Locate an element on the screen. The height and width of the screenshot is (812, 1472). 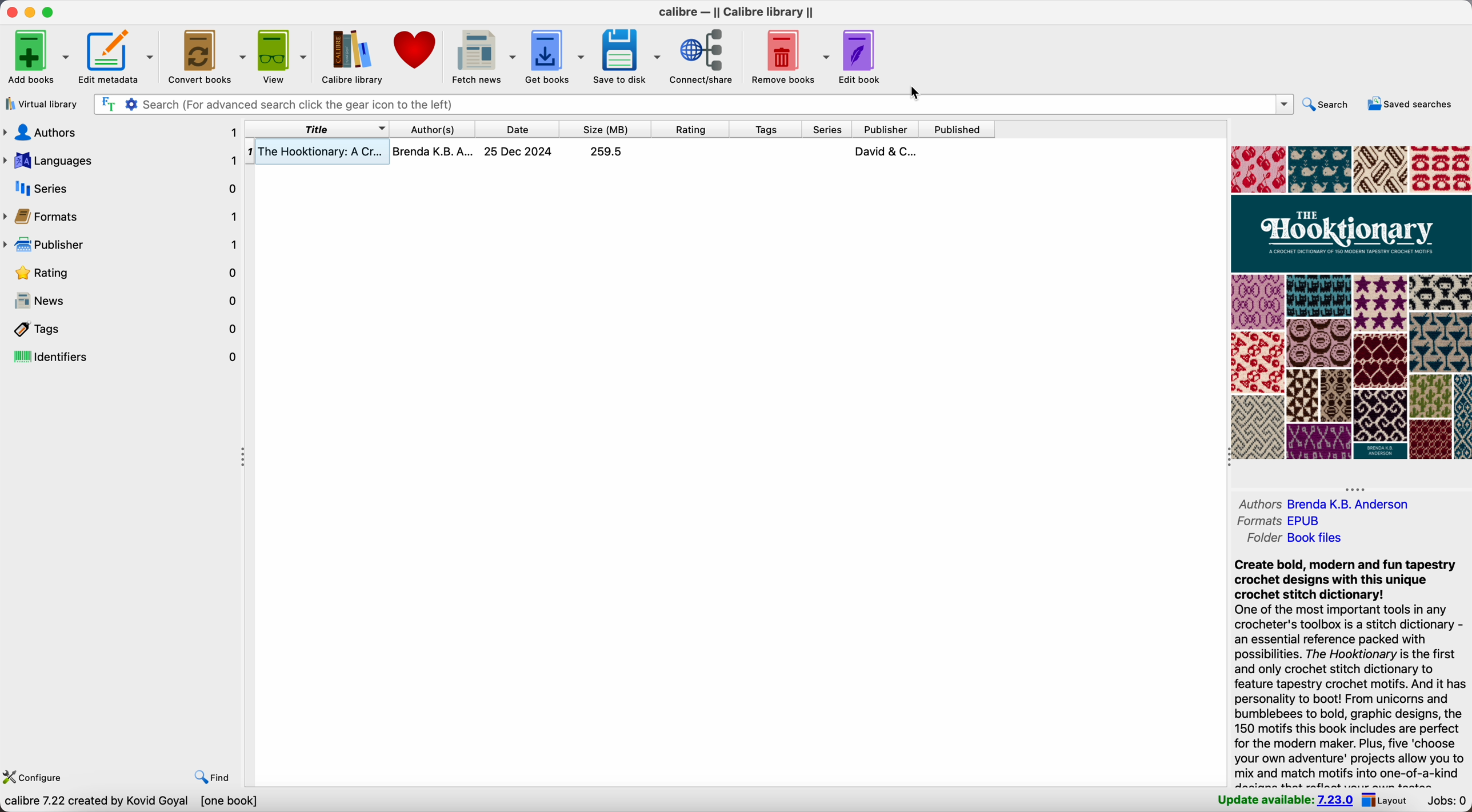
rating is located at coordinates (690, 129).